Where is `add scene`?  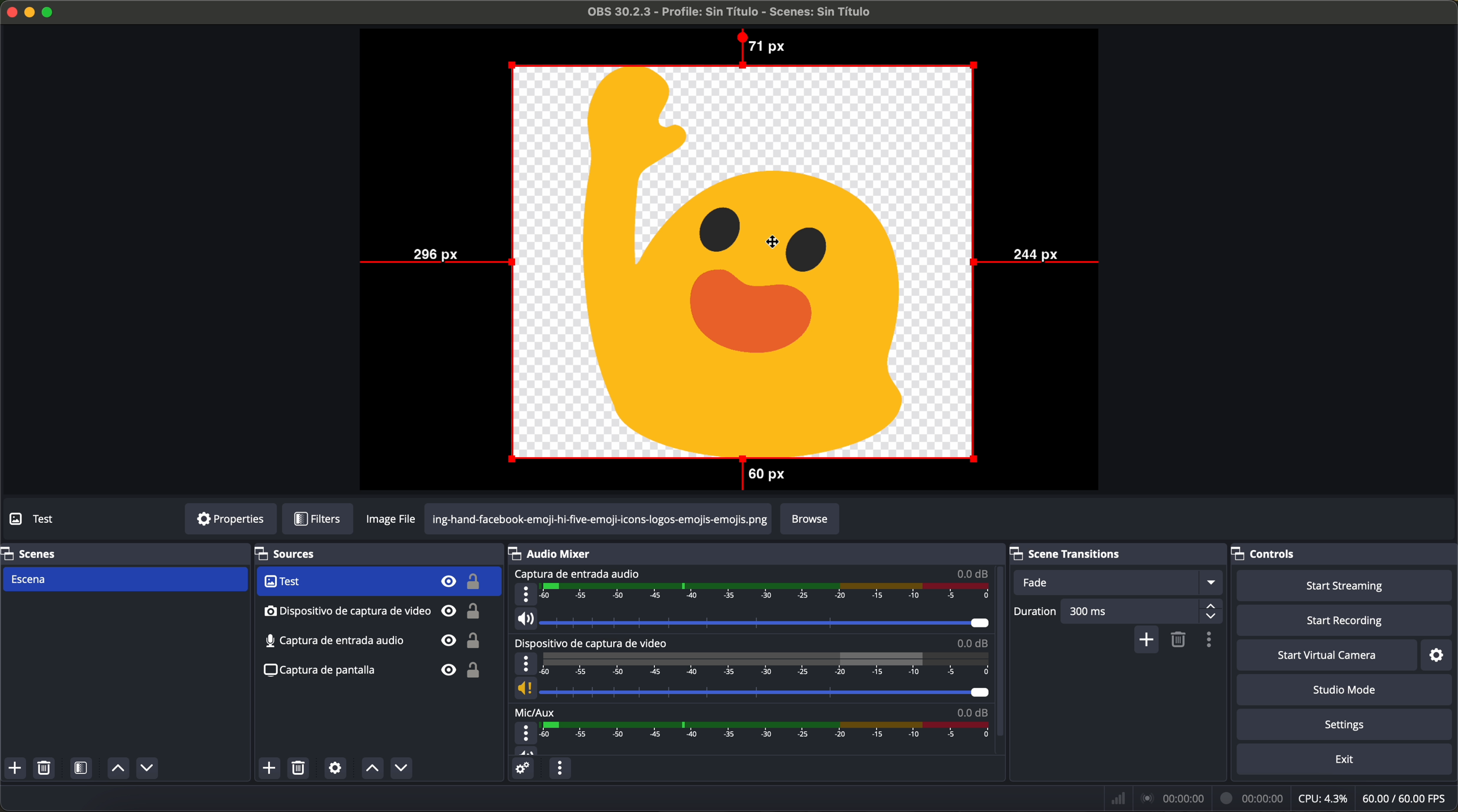 add scene is located at coordinates (15, 768).